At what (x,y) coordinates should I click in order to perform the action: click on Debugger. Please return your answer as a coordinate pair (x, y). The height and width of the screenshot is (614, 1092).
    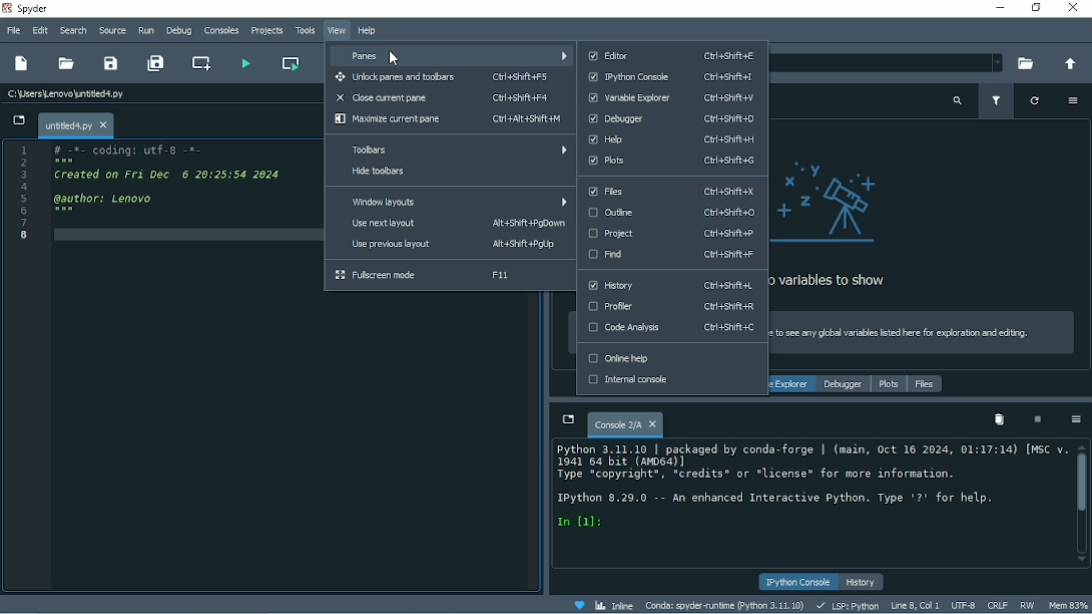
    Looking at the image, I should click on (674, 119).